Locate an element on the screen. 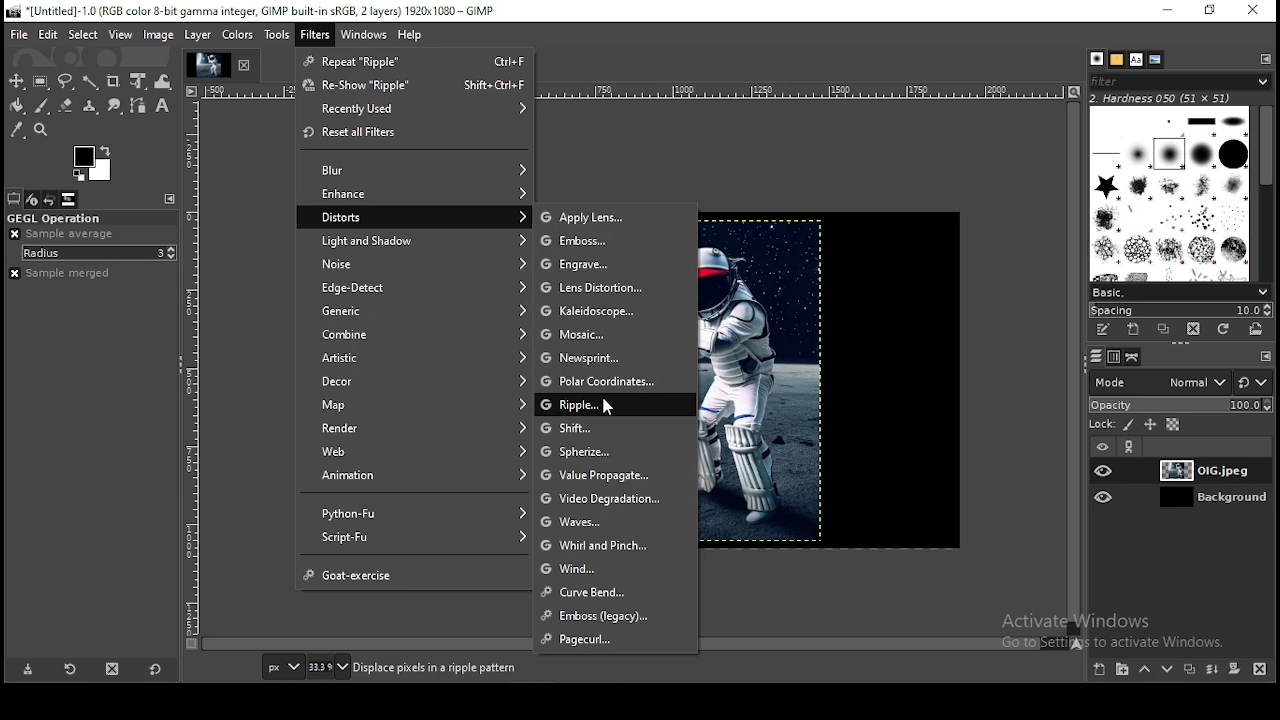 The image size is (1280, 720). tools is located at coordinates (276, 35).